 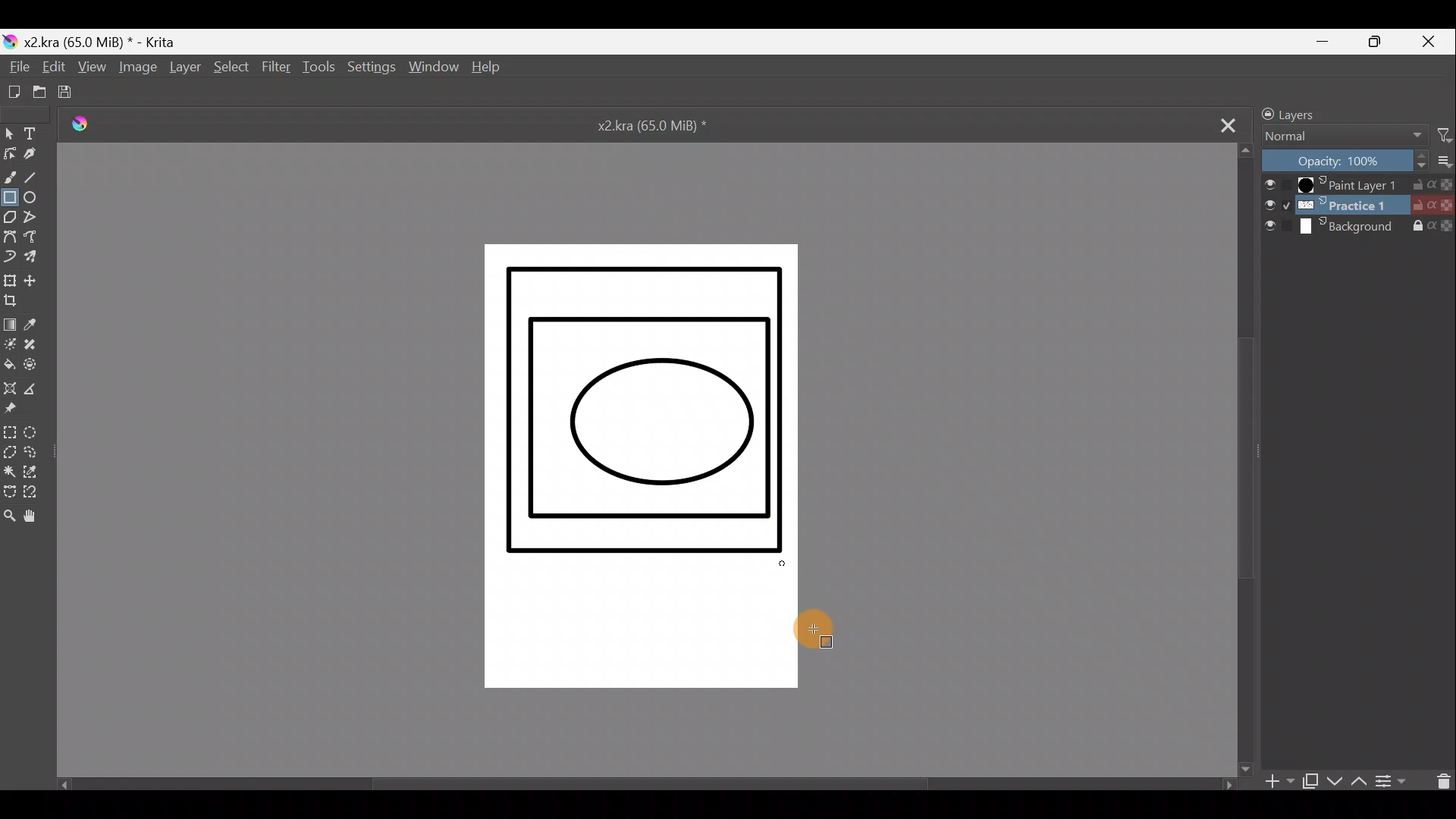 I want to click on Tools, so click(x=319, y=67).